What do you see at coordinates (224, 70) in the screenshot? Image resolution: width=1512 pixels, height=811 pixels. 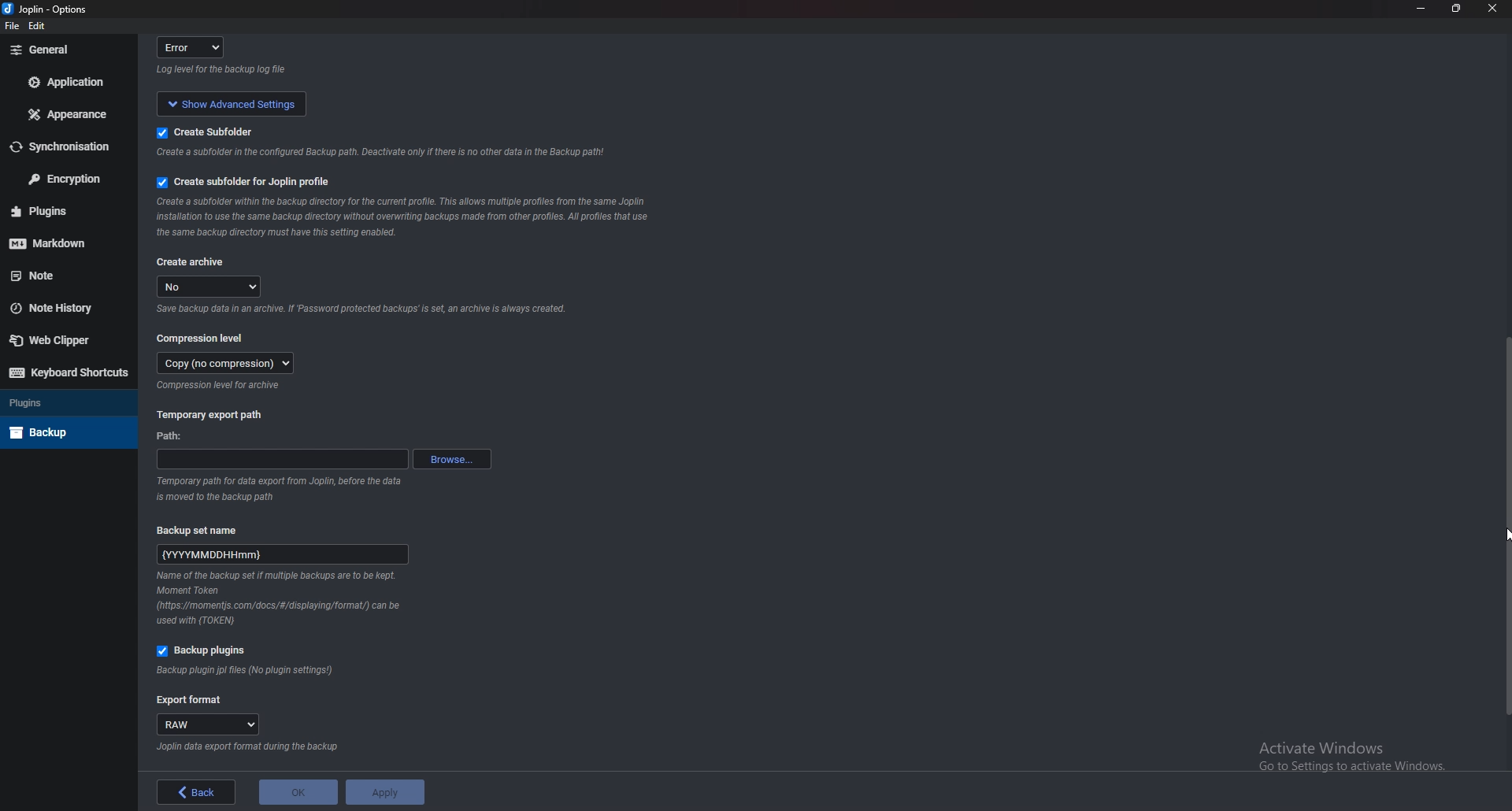 I see `info` at bounding box center [224, 70].